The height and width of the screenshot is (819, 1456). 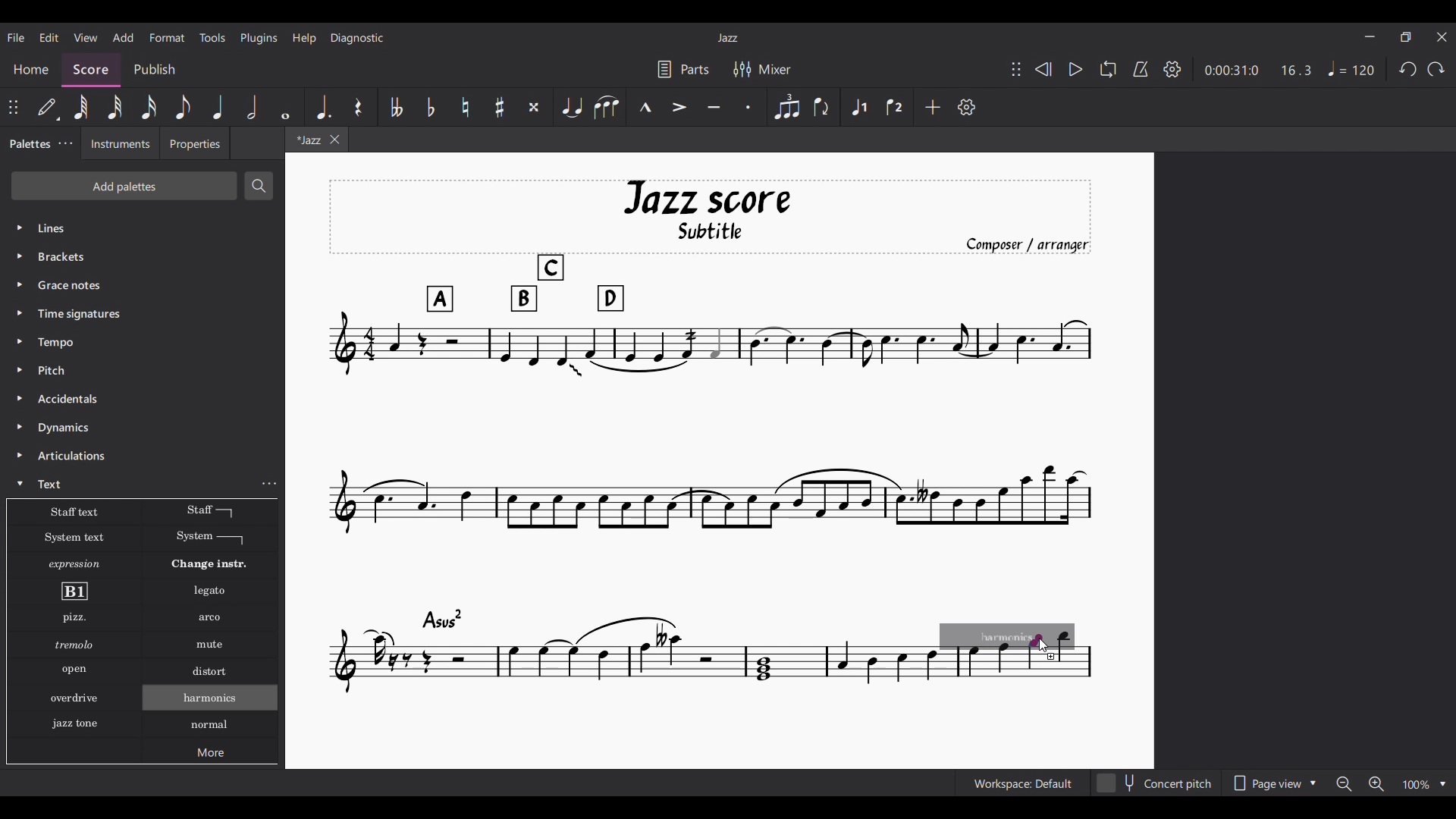 I want to click on Edit menu, so click(x=49, y=38).